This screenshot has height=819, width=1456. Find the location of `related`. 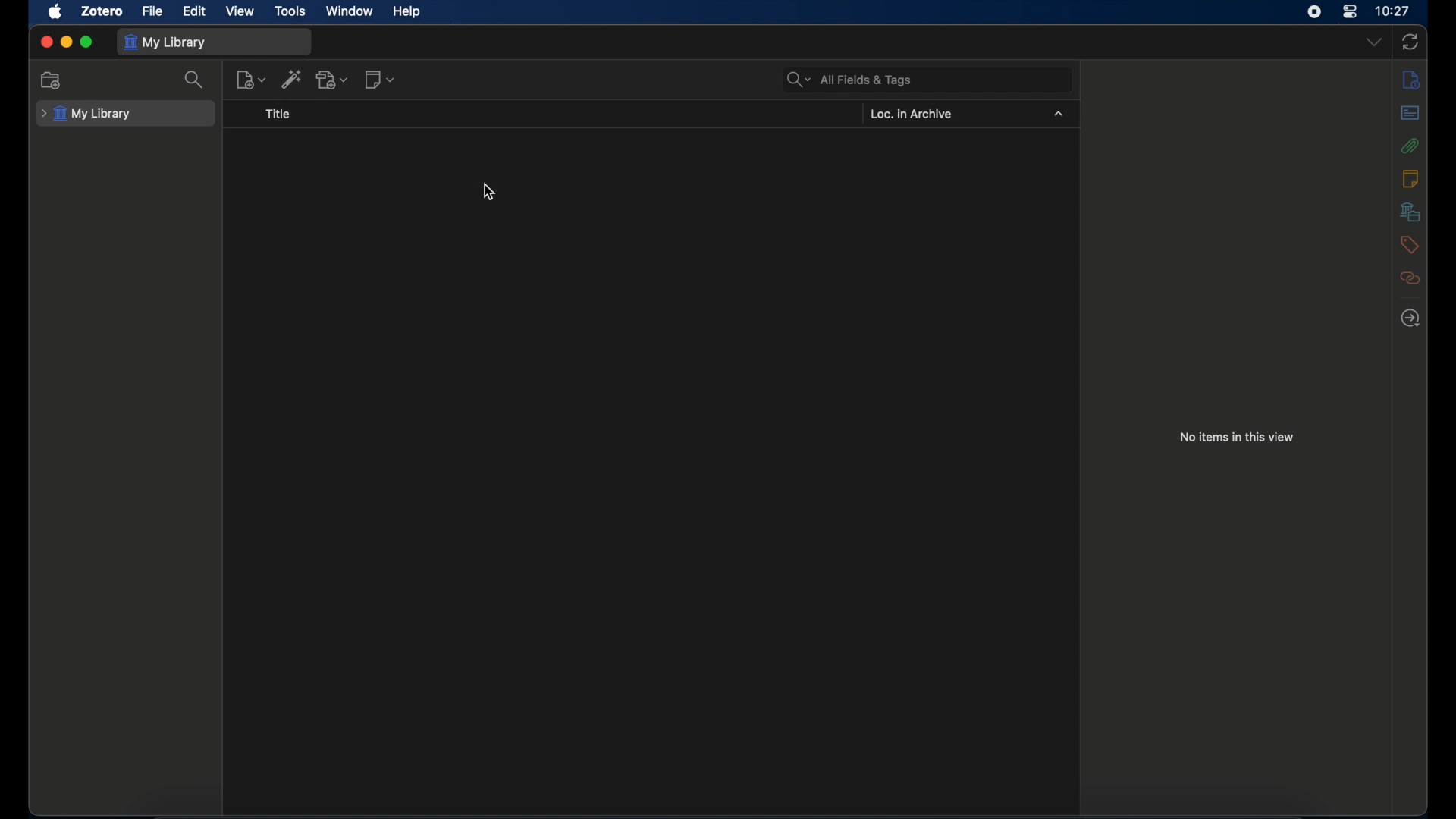

related is located at coordinates (1411, 278).